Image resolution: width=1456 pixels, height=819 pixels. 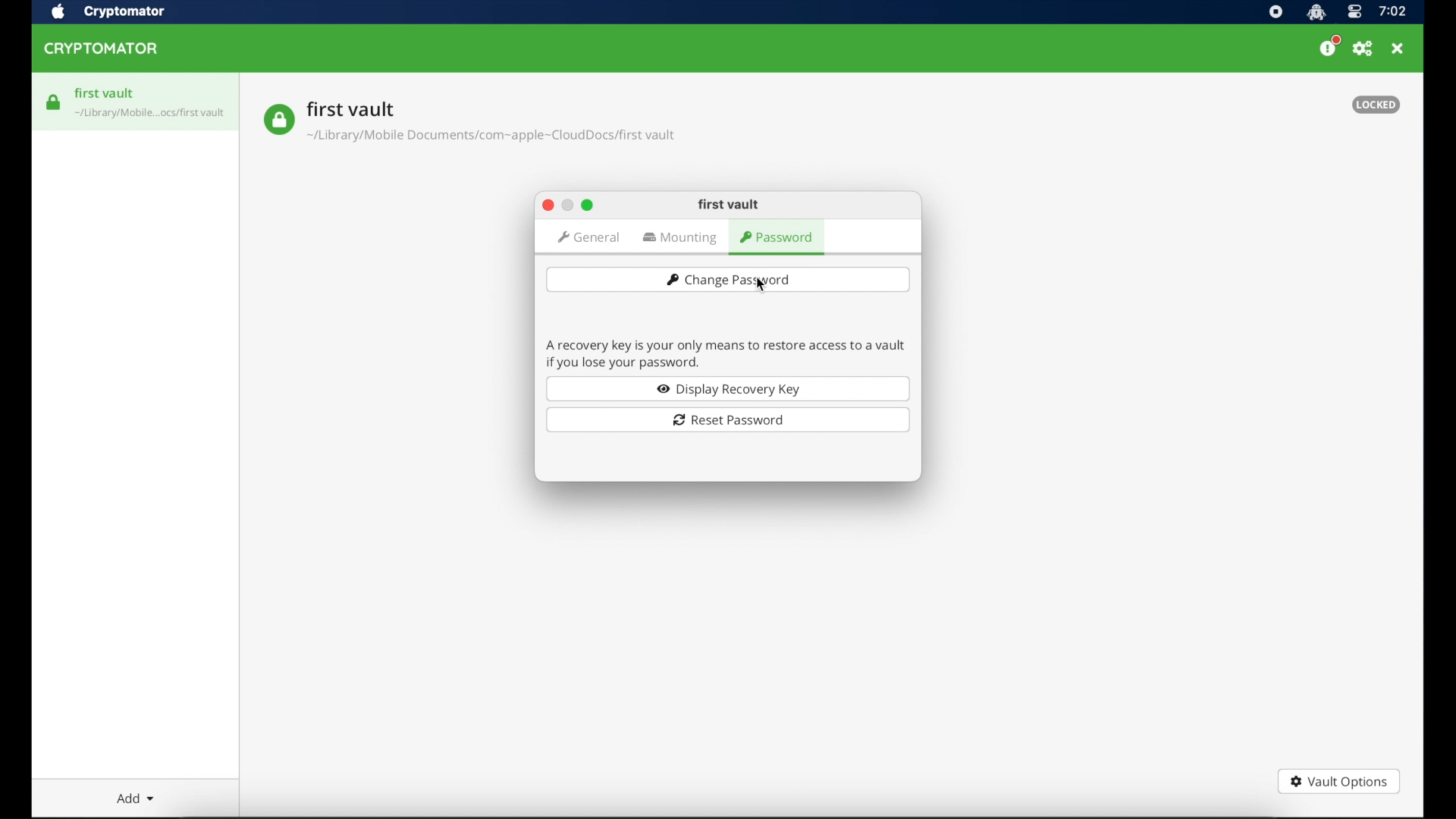 I want to click on crytptomator, so click(x=124, y=13).